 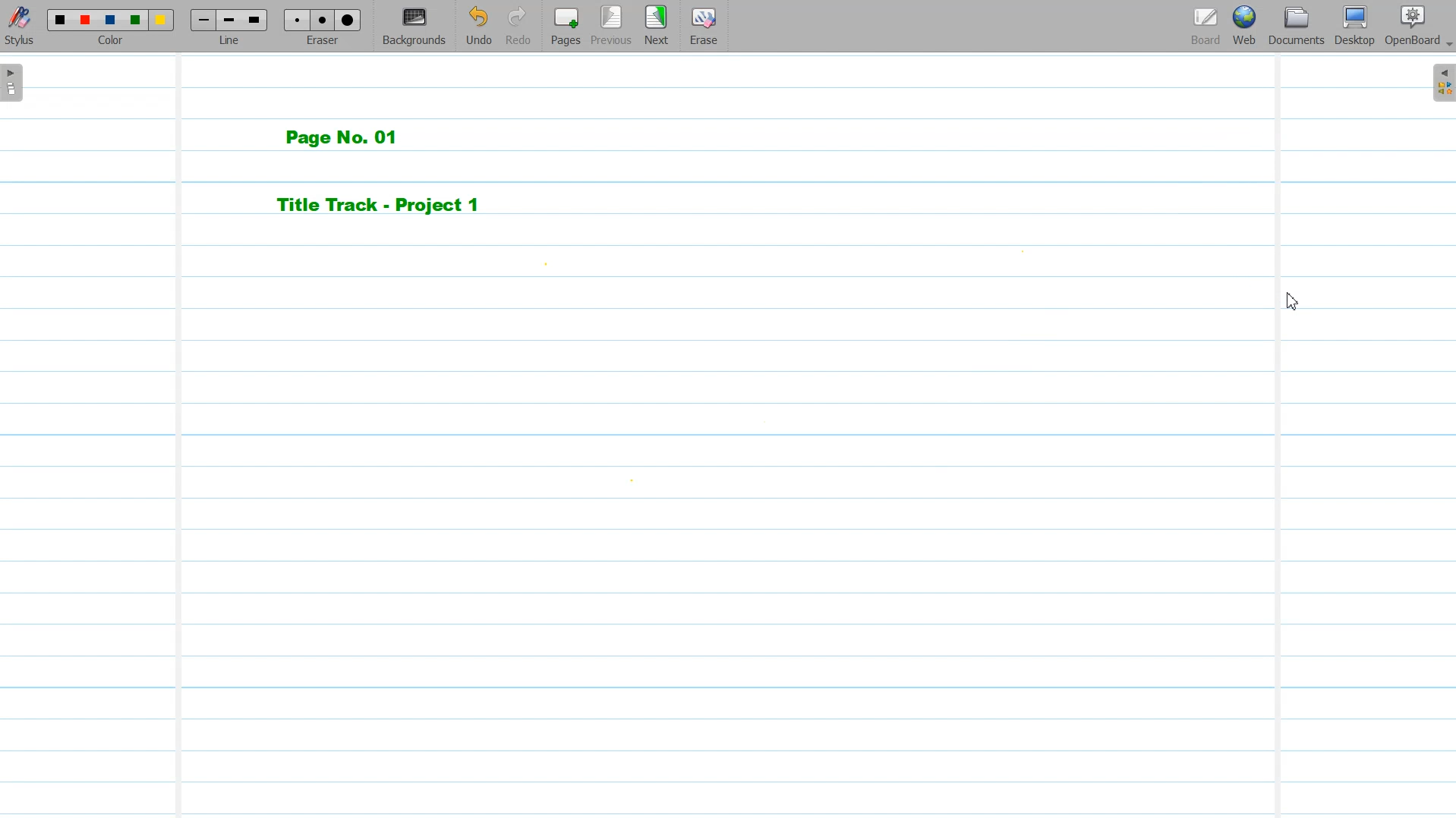 I want to click on Stylus, so click(x=21, y=27).